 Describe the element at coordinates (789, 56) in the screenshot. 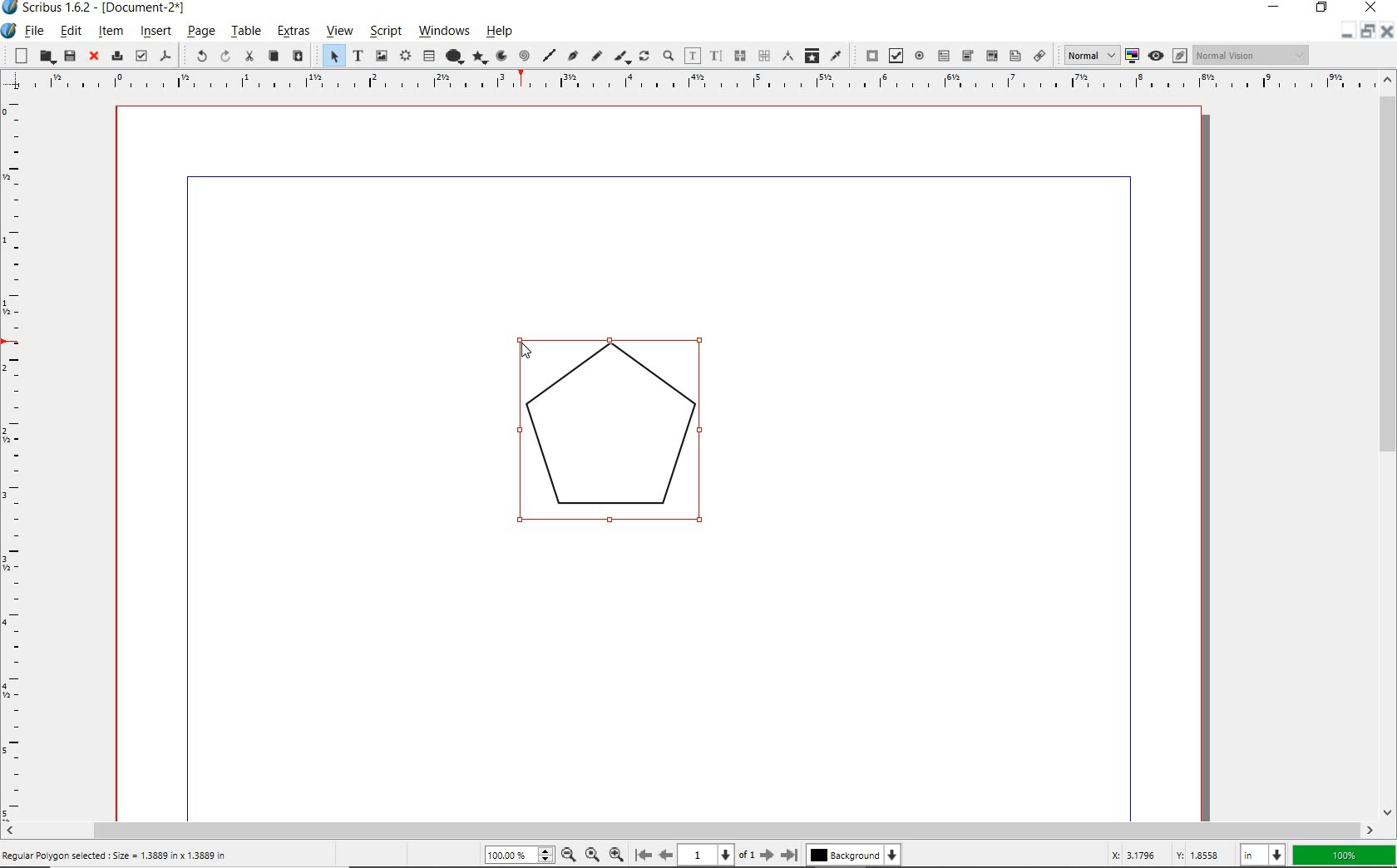

I see `measurements` at that location.